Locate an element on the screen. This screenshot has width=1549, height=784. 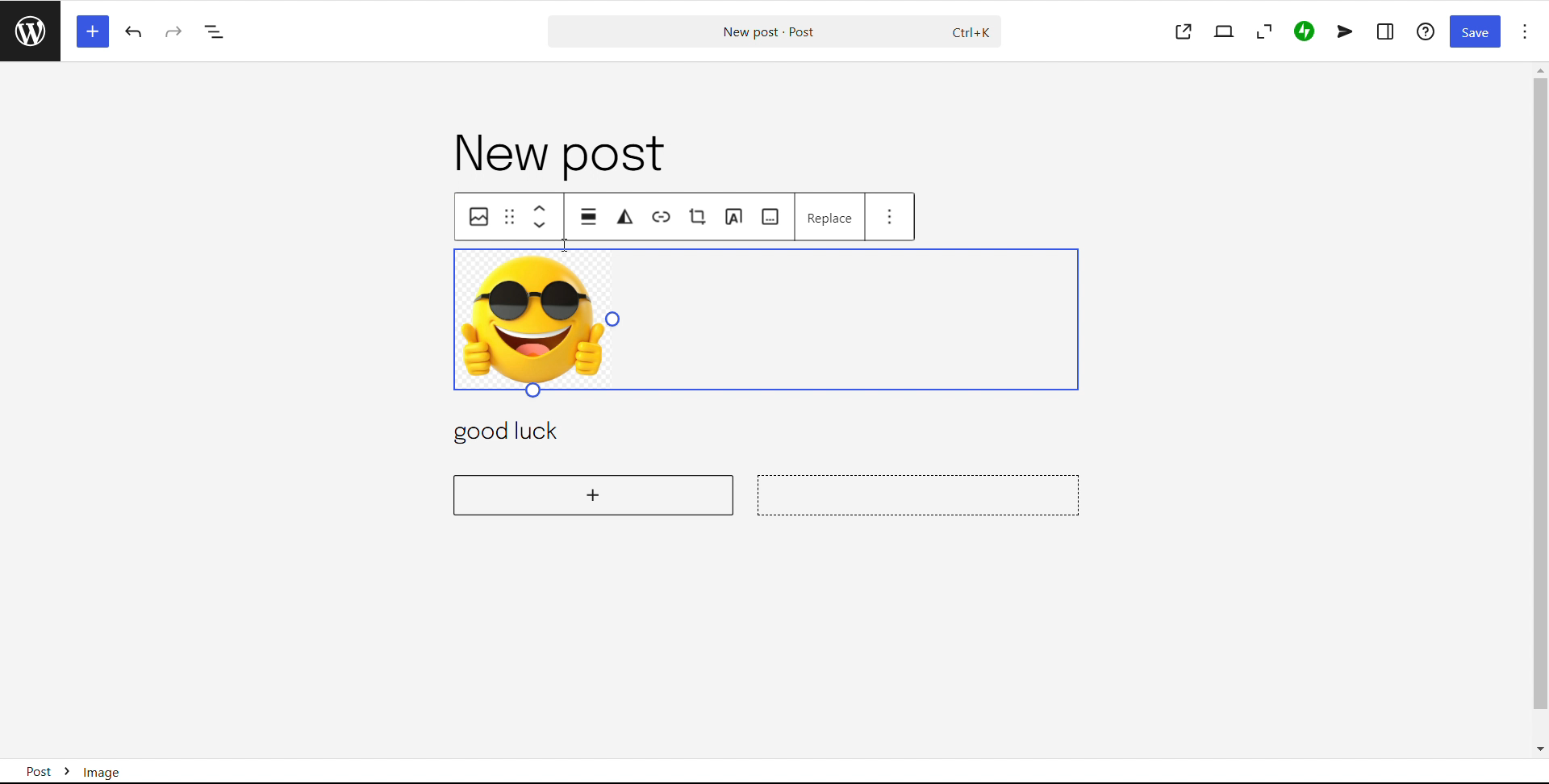
zoom out is located at coordinates (1263, 31).